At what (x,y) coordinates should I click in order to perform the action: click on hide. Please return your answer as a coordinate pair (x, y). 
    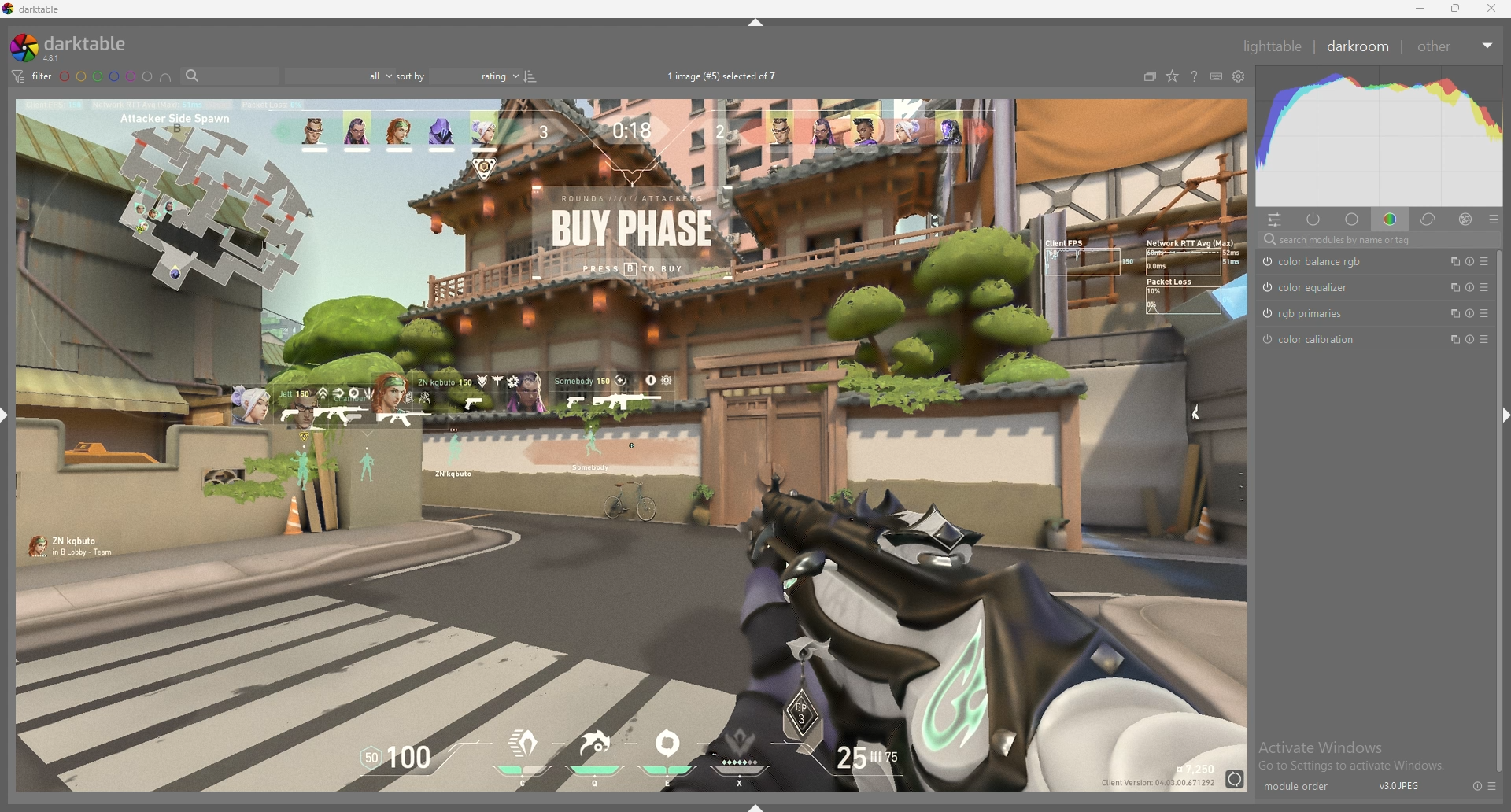
    Looking at the image, I should click on (1497, 413).